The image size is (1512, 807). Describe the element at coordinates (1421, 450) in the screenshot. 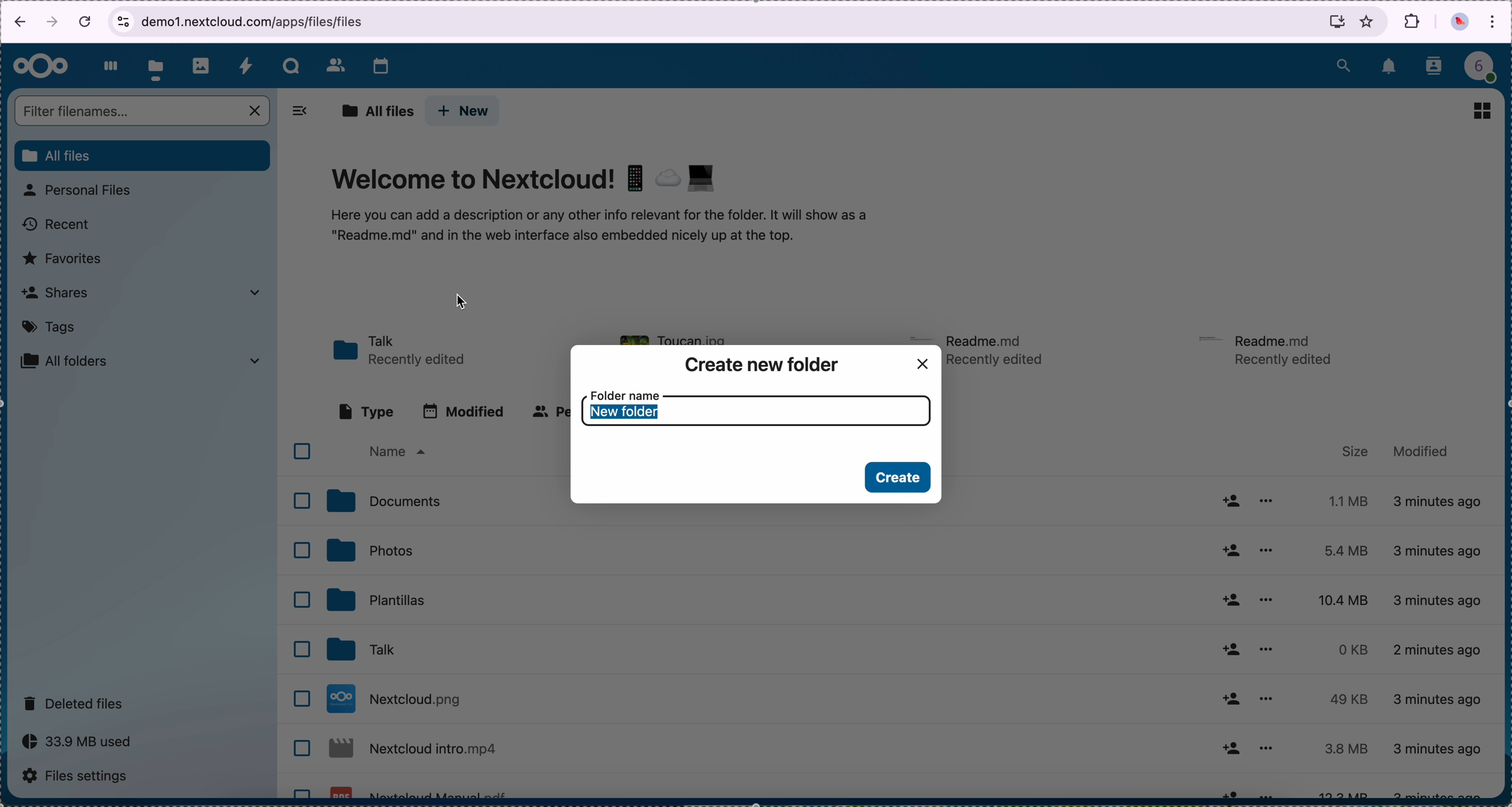

I see `modified` at that location.